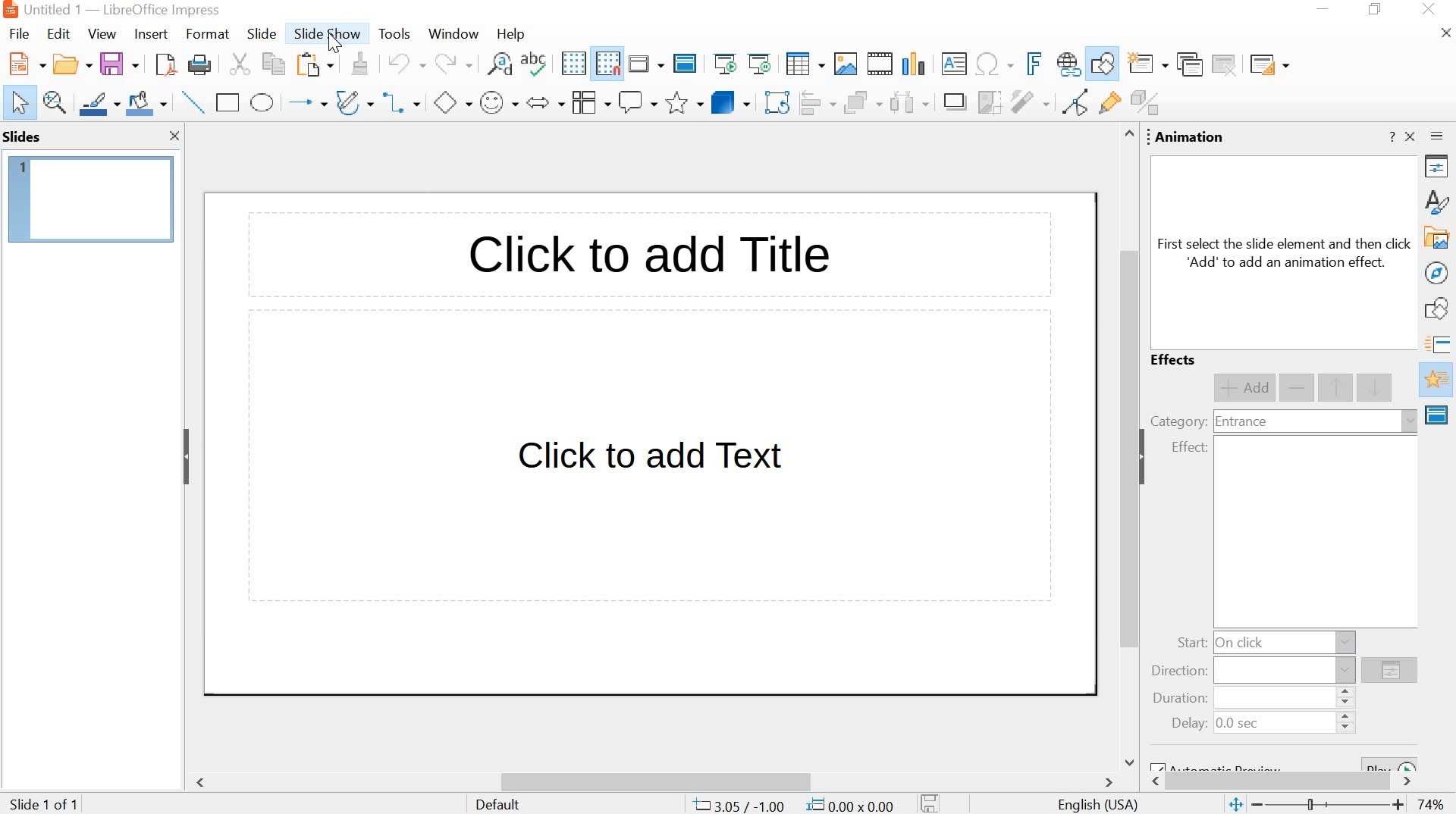  What do you see at coordinates (394, 35) in the screenshot?
I see `tools menu` at bounding box center [394, 35].